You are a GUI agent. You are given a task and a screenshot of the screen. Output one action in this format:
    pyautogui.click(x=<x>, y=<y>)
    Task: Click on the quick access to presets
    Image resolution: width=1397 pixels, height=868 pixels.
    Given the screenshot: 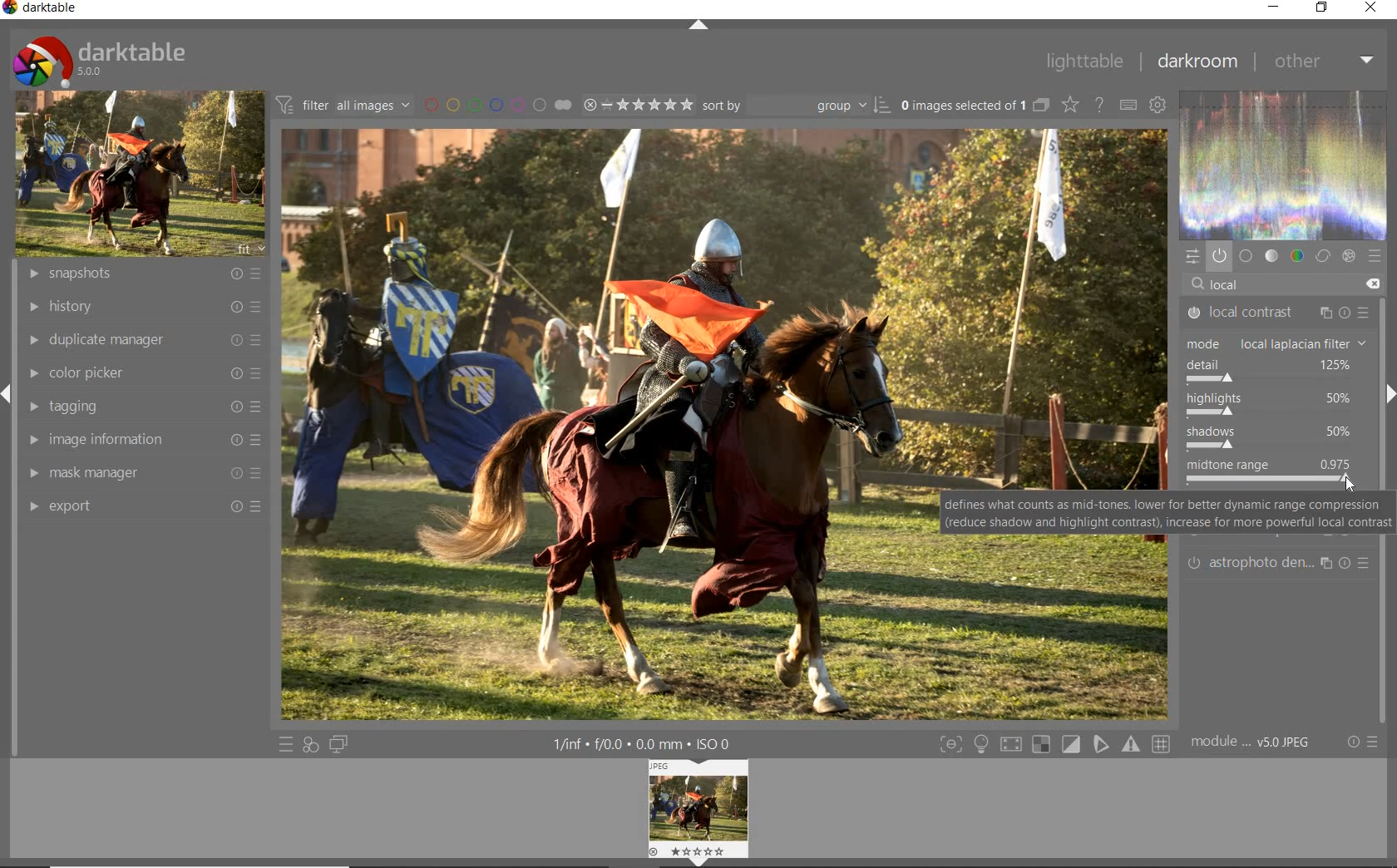 What is the action you would take?
    pyautogui.click(x=286, y=744)
    